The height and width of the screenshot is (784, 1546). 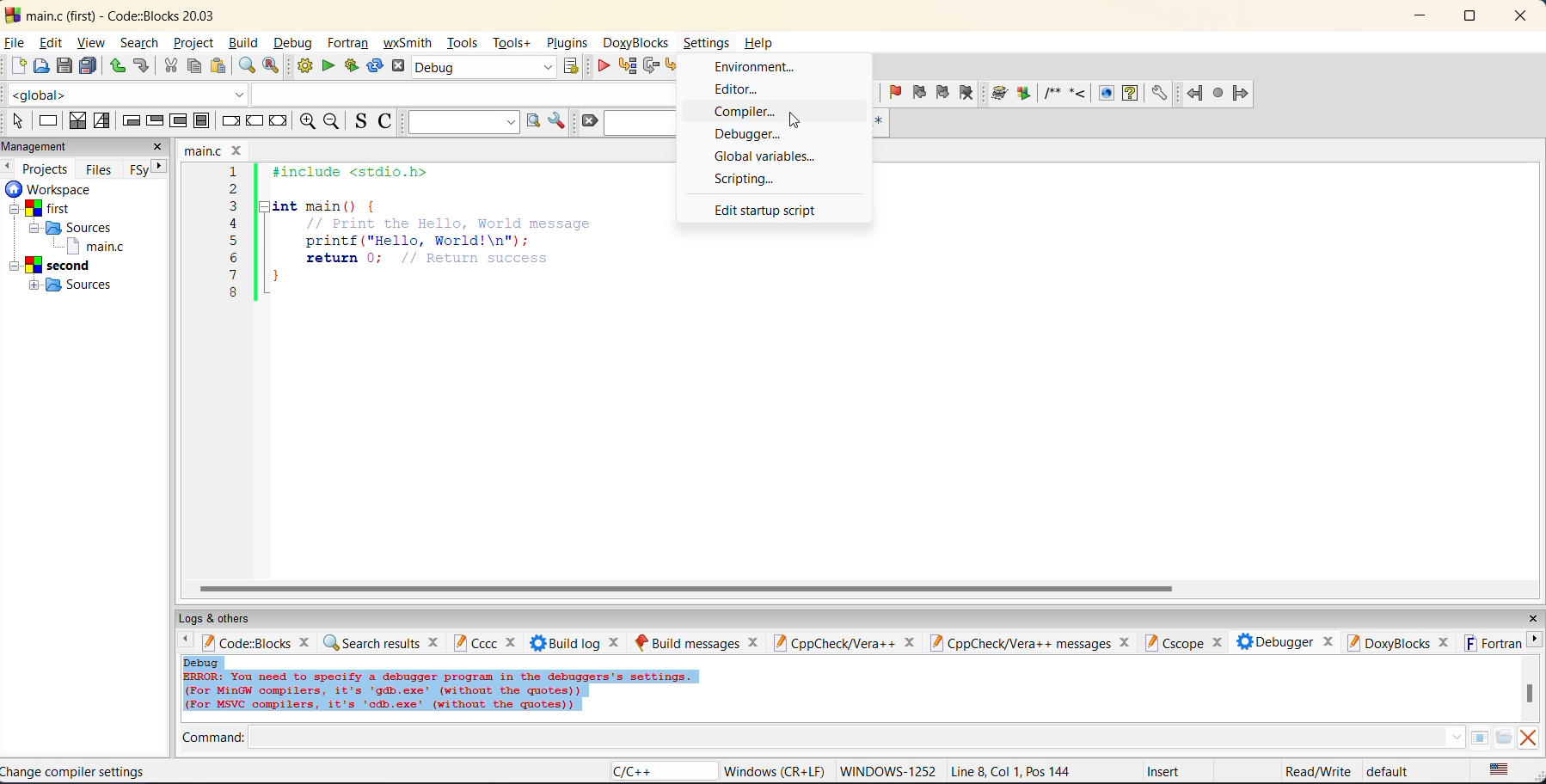 I want to click on find, so click(x=244, y=65).